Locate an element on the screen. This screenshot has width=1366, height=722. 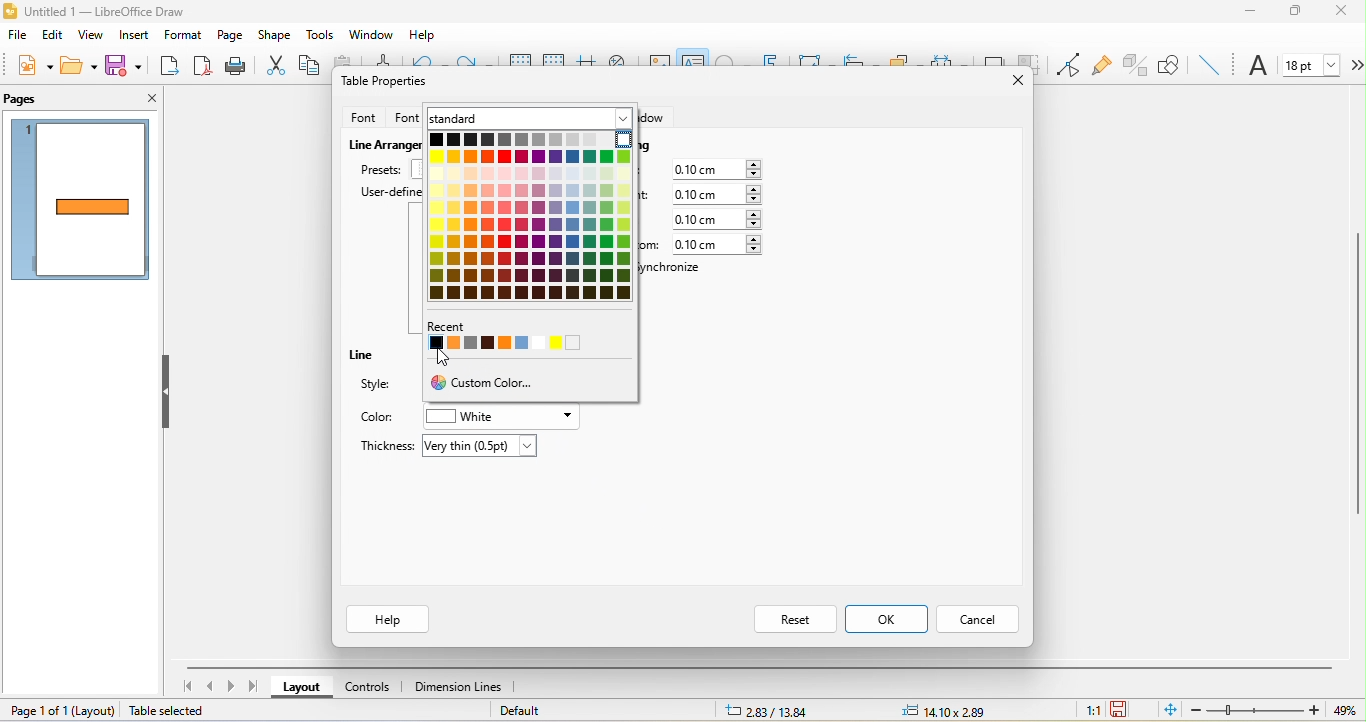
gluepoint function is located at coordinates (1104, 64).